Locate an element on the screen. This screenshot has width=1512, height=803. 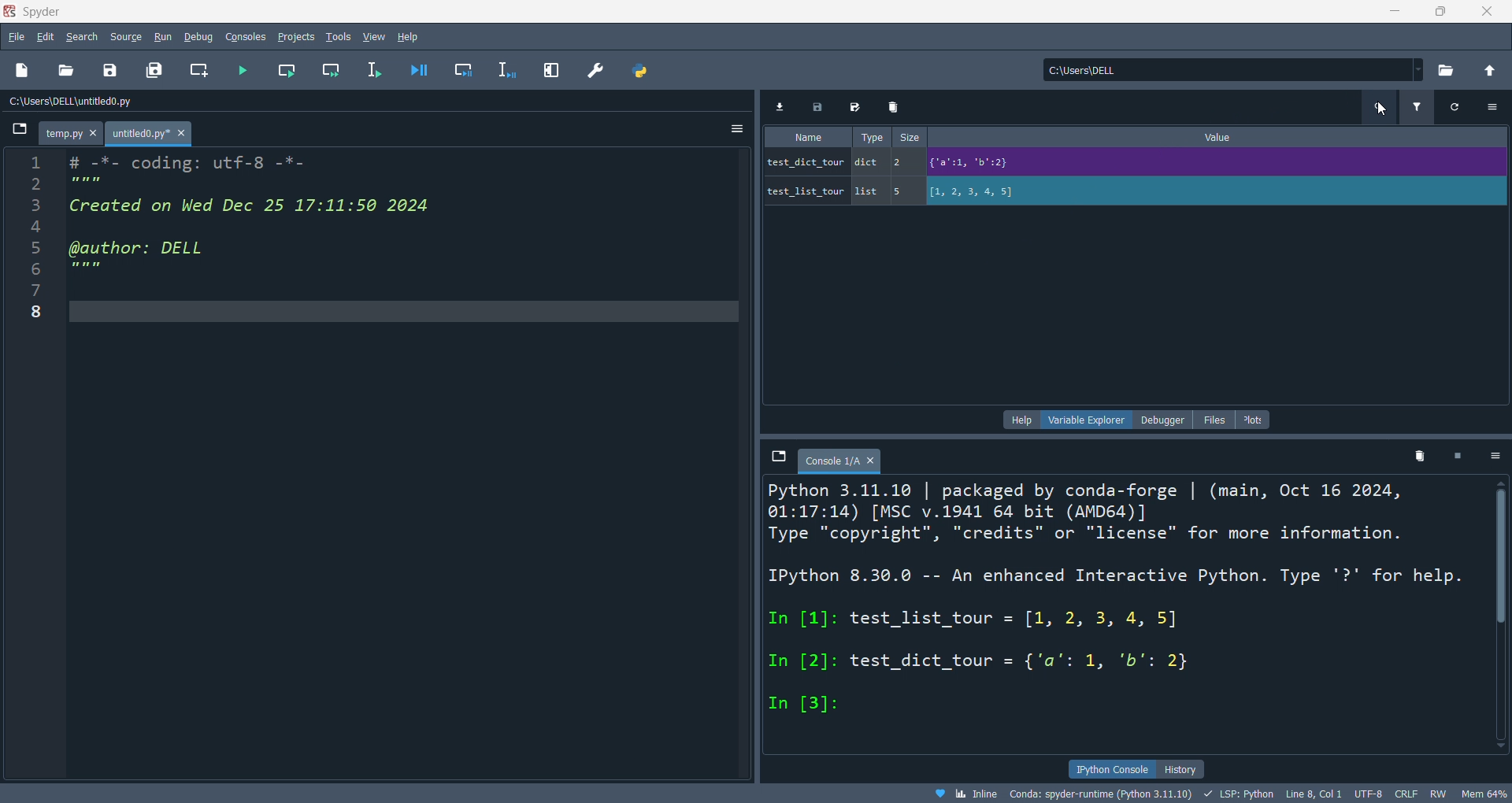
cursor is located at coordinates (1377, 113).